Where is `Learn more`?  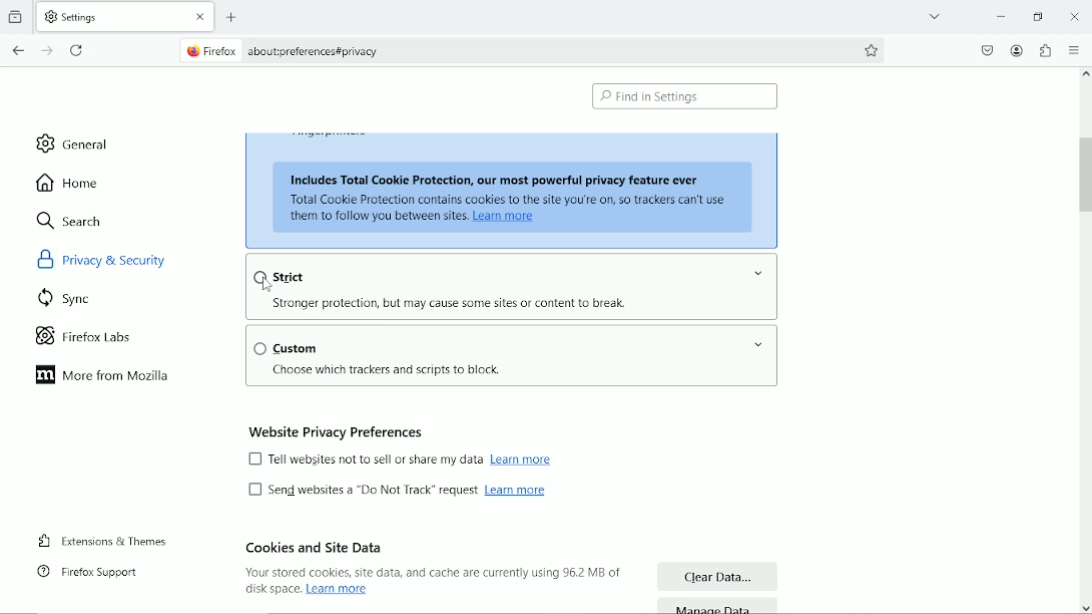 Learn more is located at coordinates (516, 490).